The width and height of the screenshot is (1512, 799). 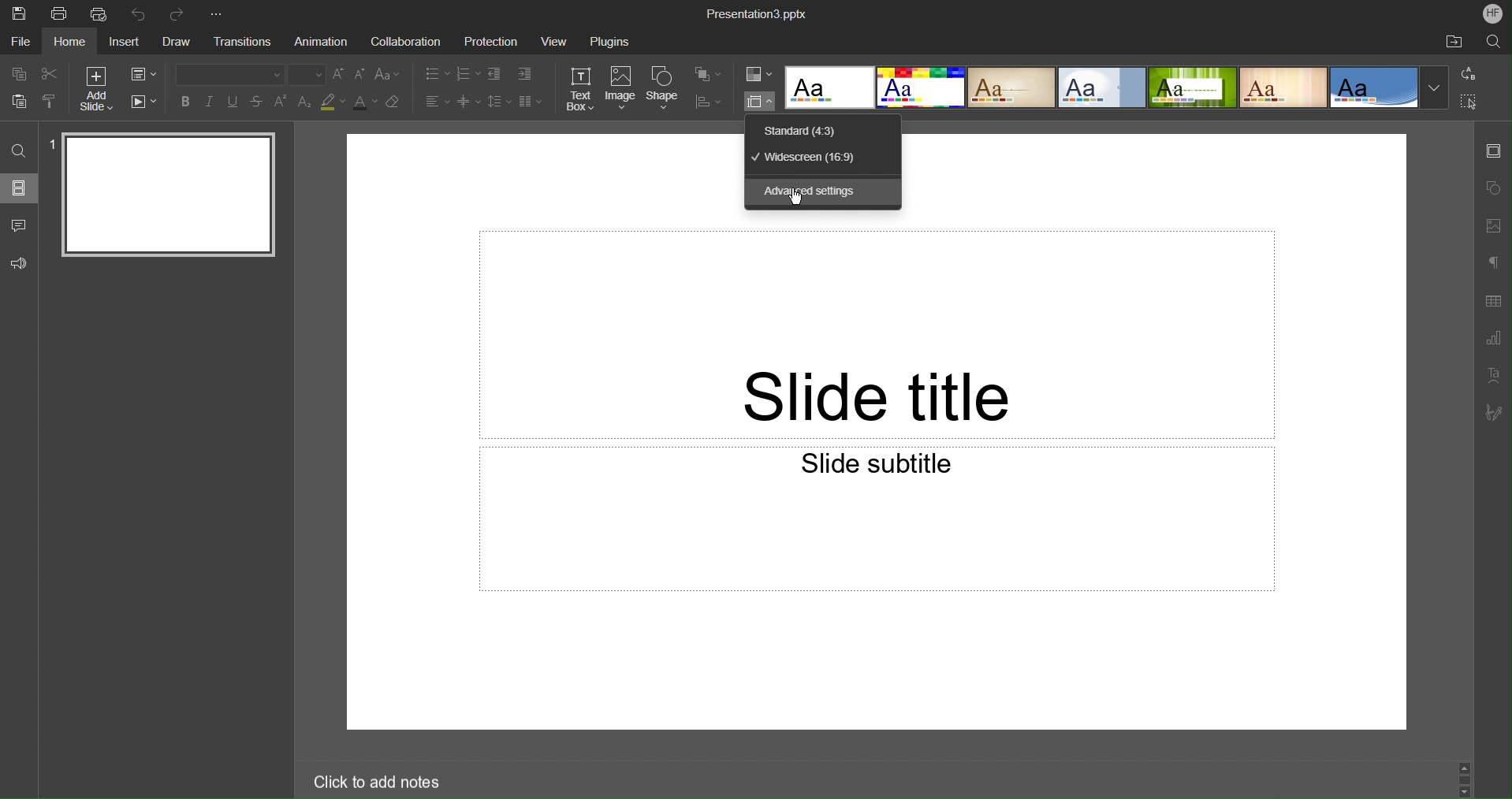 What do you see at coordinates (370, 779) in the screenshot?
I see `Click to add notes` at bounding box center [370, 779].